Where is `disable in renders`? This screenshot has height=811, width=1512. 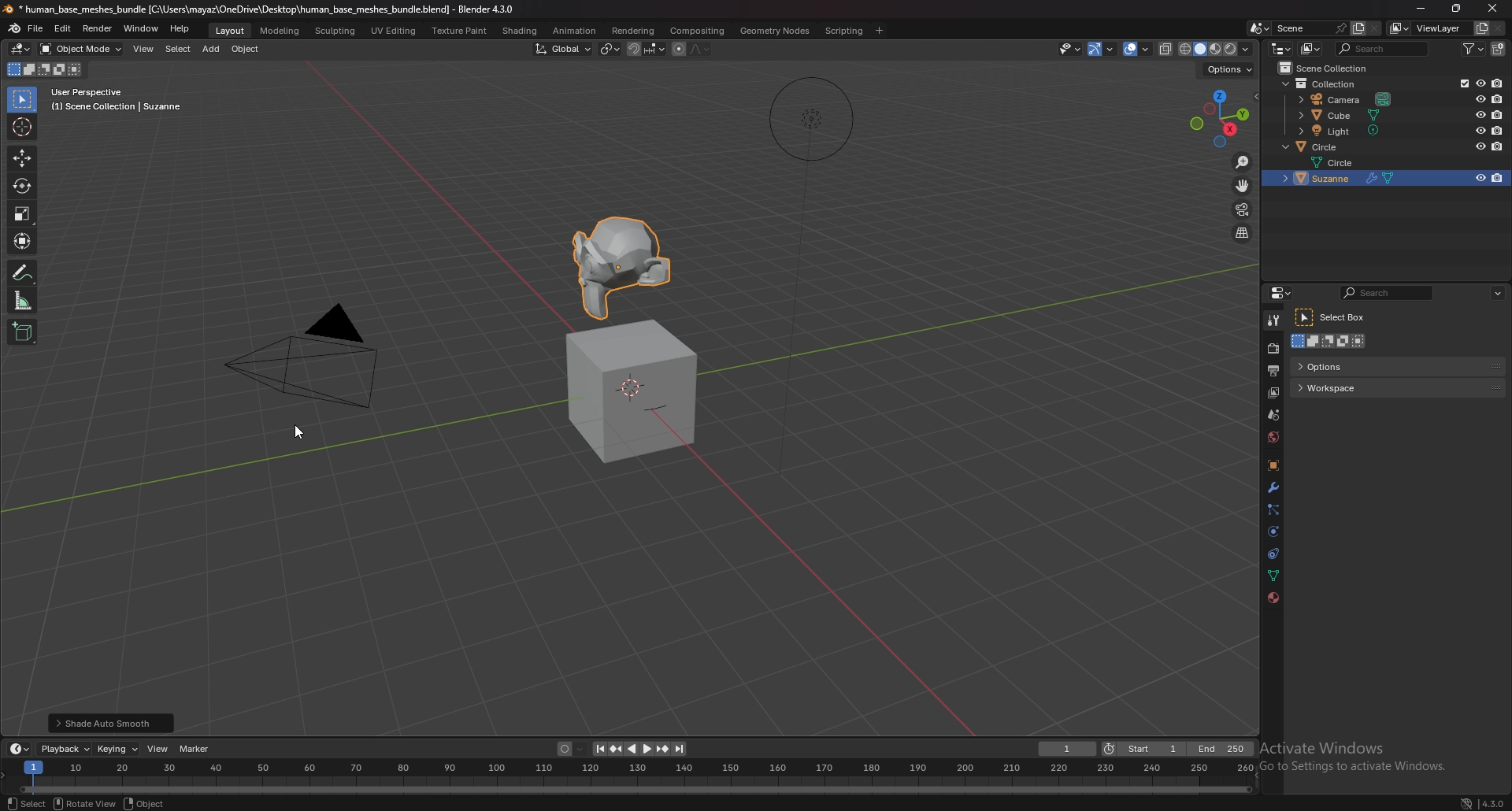 disable in renders is located at coordinates (1498, 98).